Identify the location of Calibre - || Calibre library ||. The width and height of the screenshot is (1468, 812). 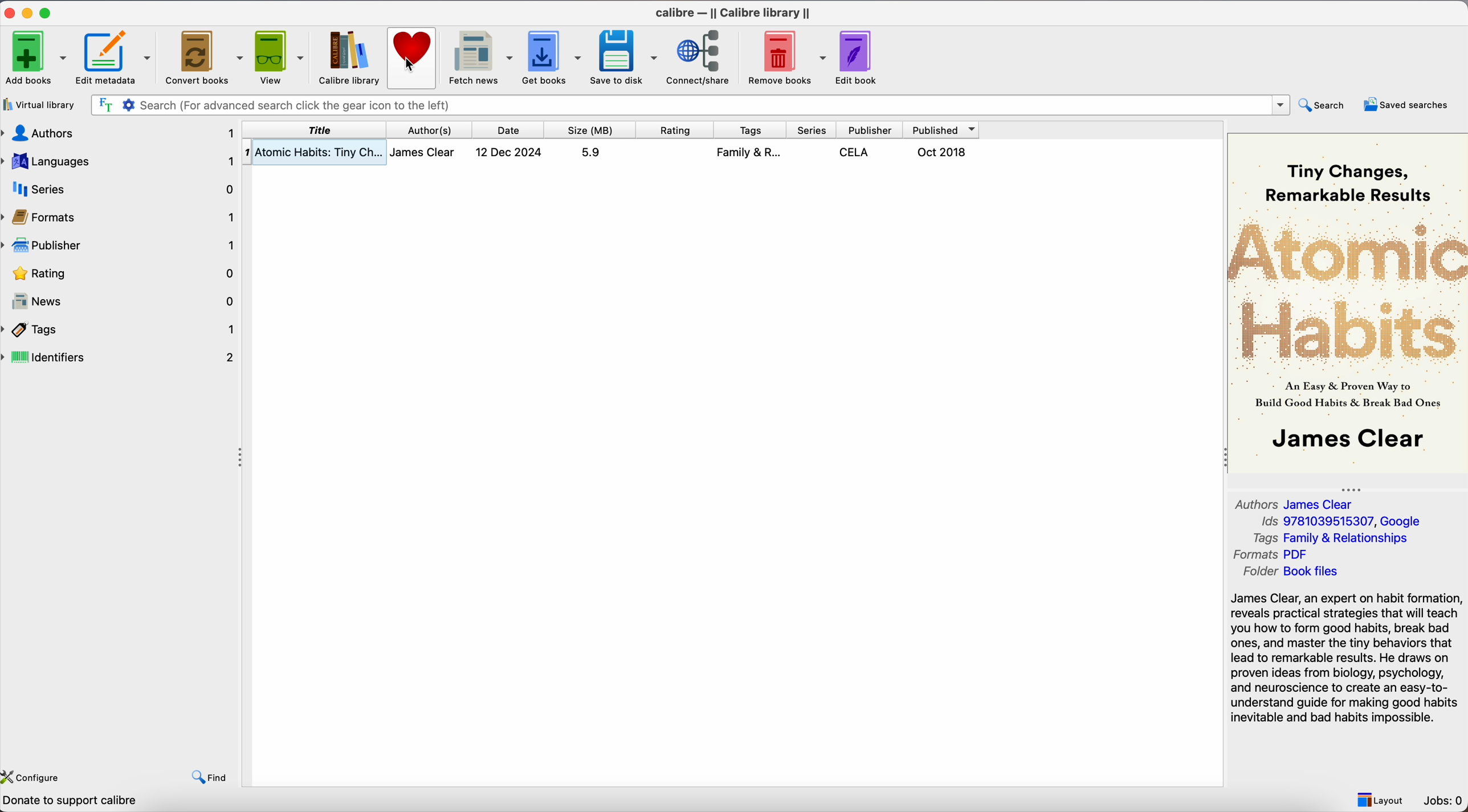
(735, 13).